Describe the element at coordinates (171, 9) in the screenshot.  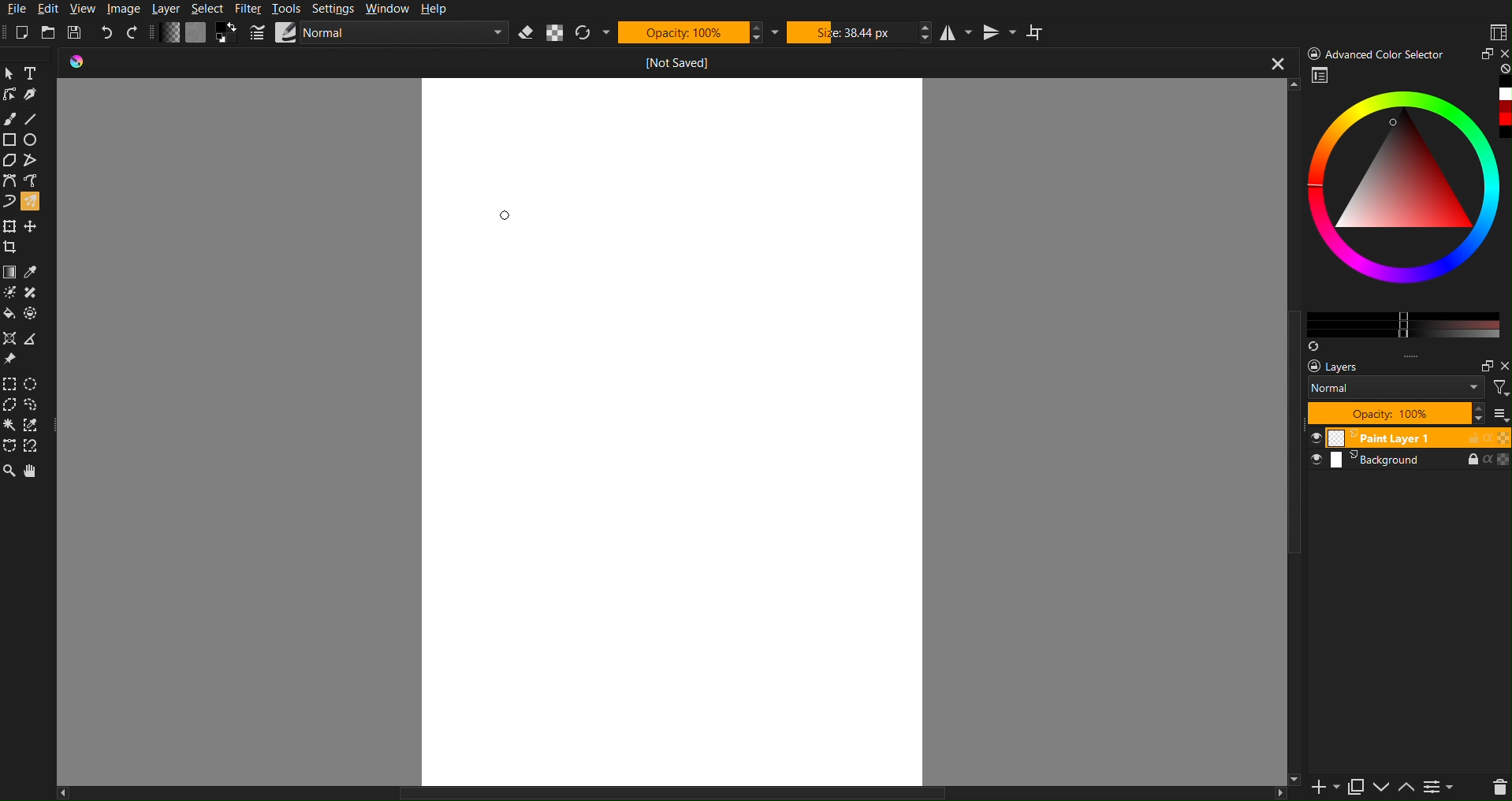
I see `Layer` at that location.